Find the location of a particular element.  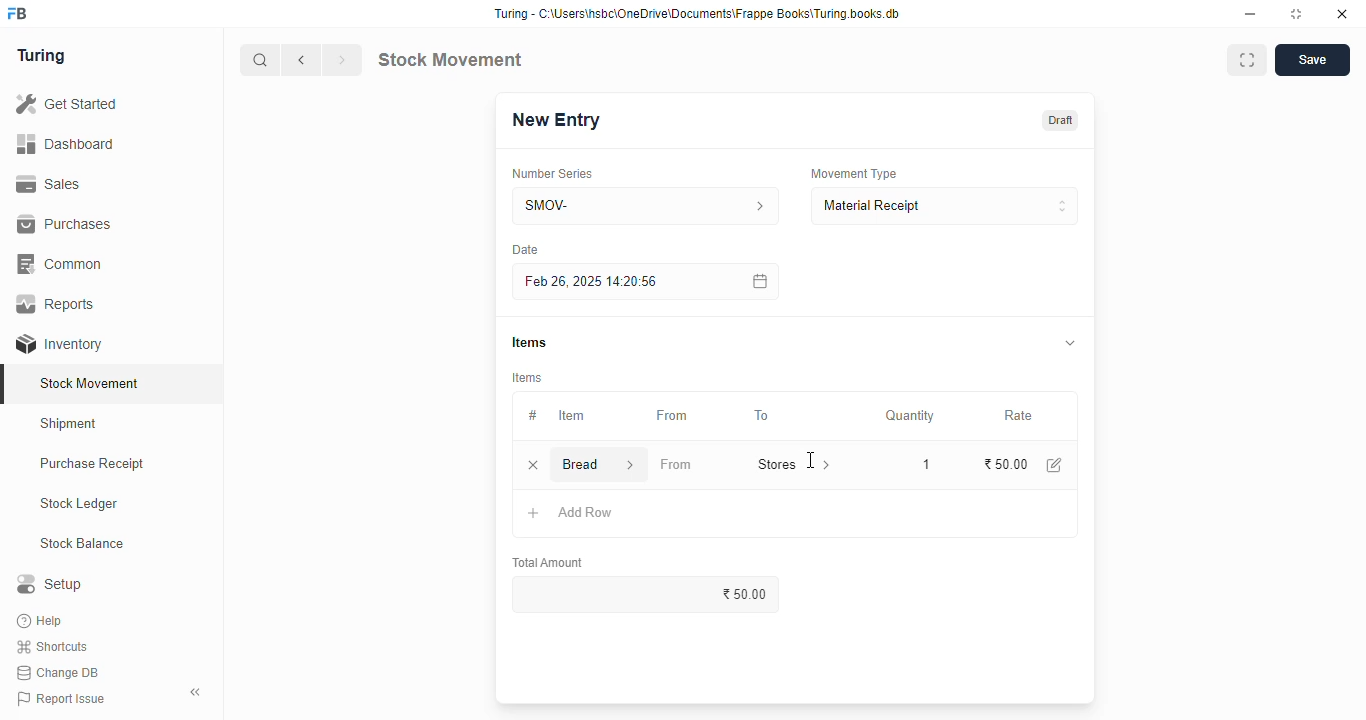

toggle sidebar is located at coordinates (196, 692).